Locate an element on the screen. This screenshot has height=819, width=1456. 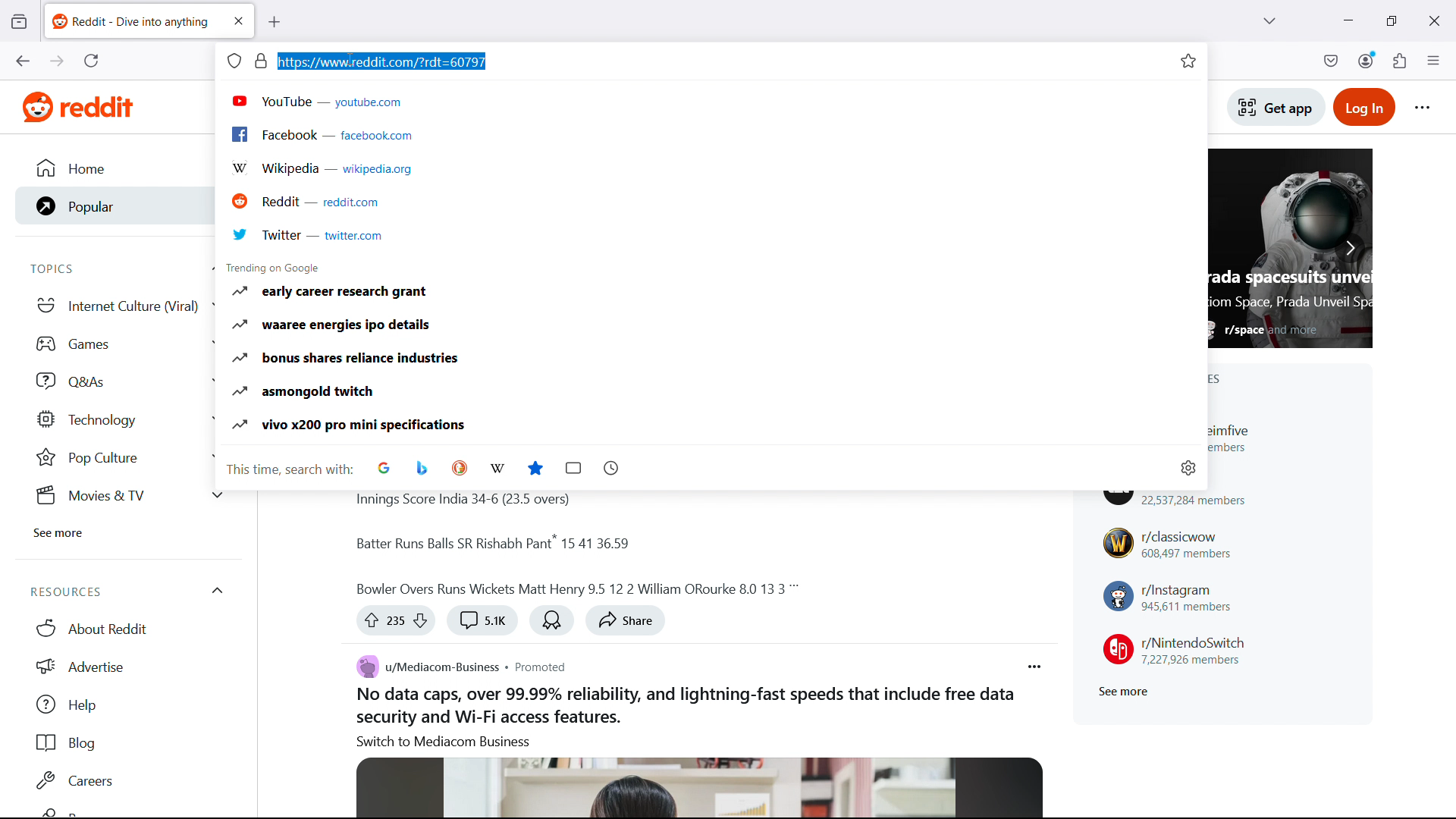
vertical scrollbar is located at coordinates (1453, 187).